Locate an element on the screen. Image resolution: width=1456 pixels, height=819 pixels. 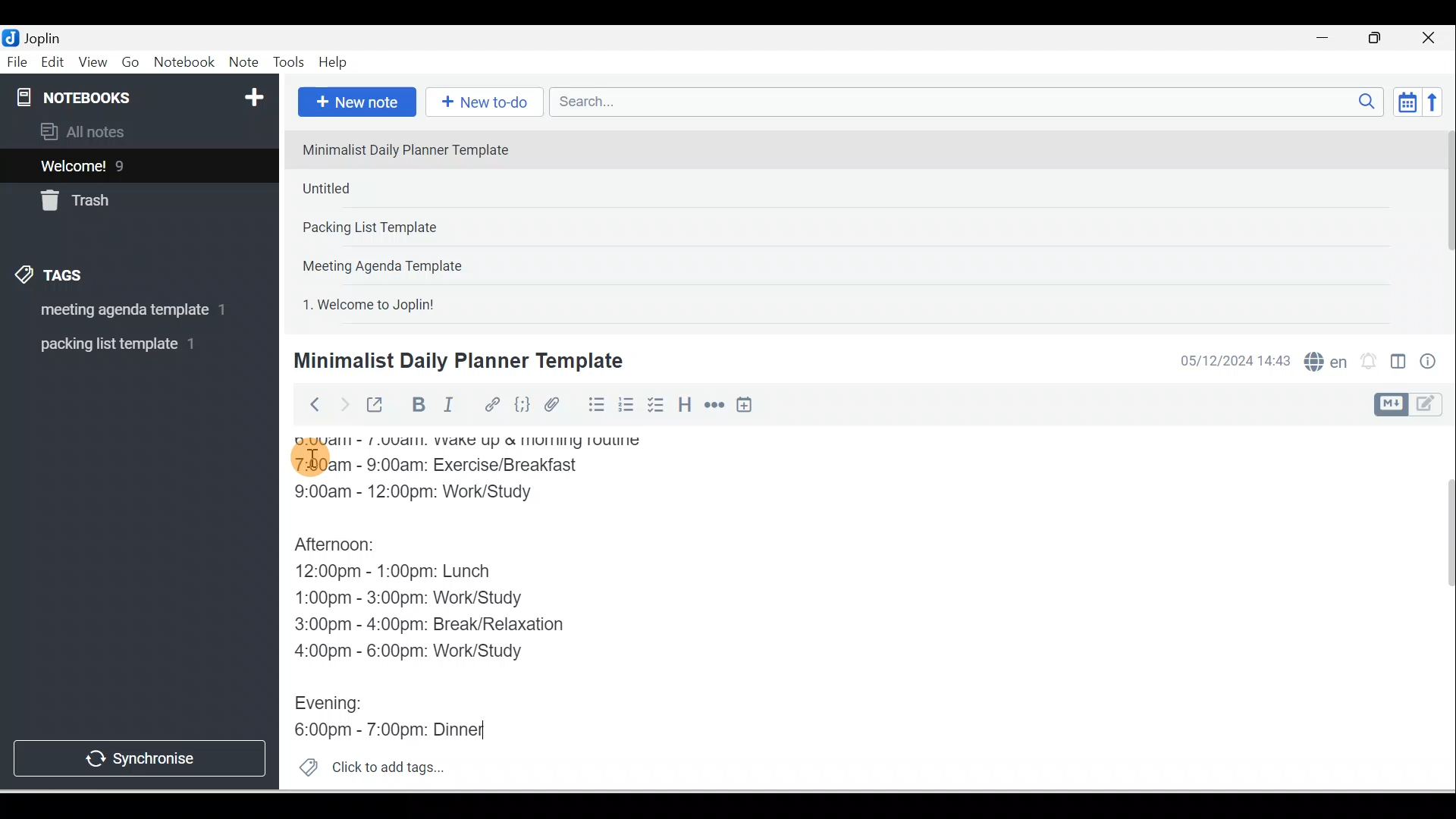
Bulleted list is located at coordinates (593, 404).